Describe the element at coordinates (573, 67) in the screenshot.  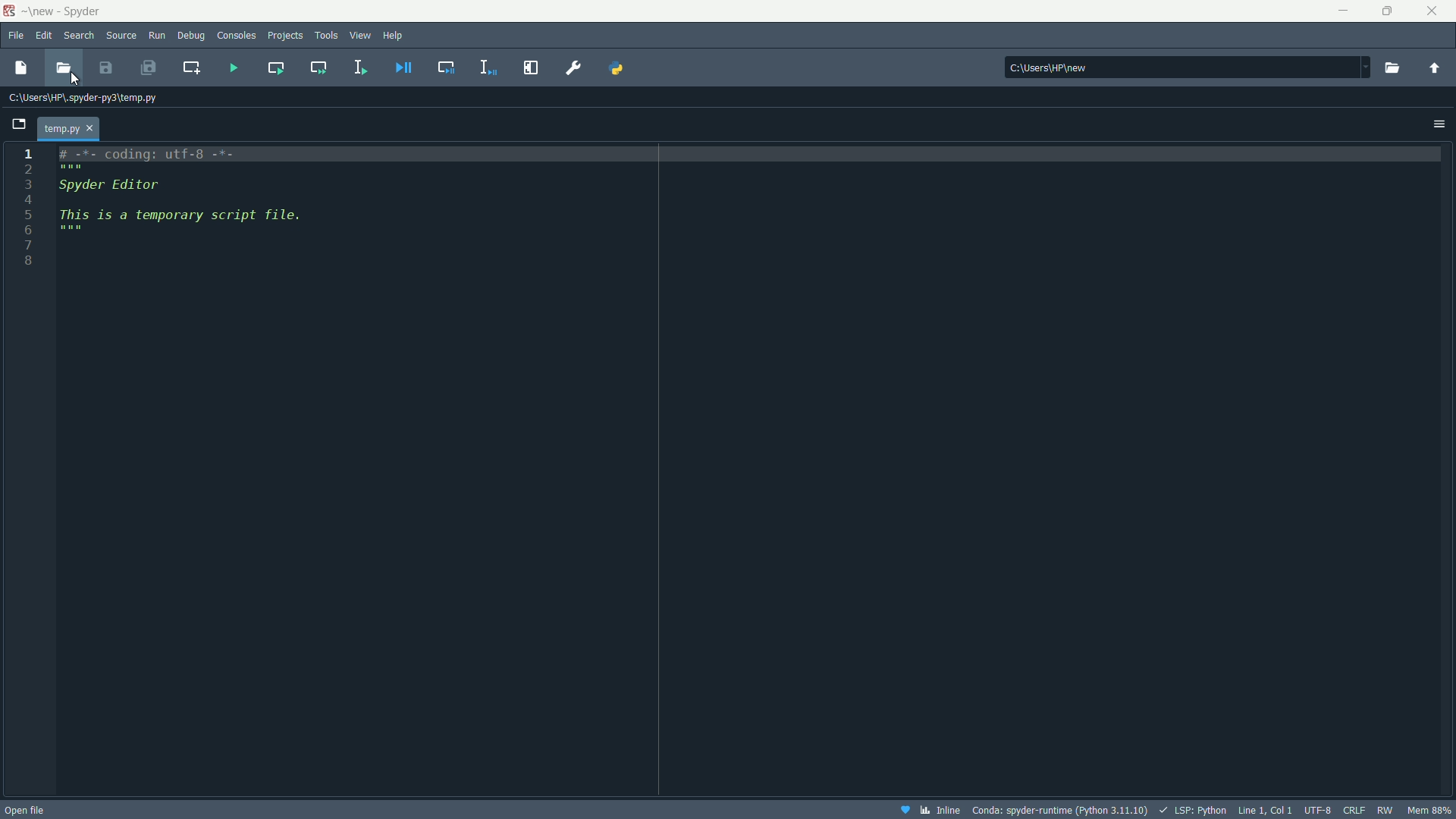
I see `Preferences` at that location.